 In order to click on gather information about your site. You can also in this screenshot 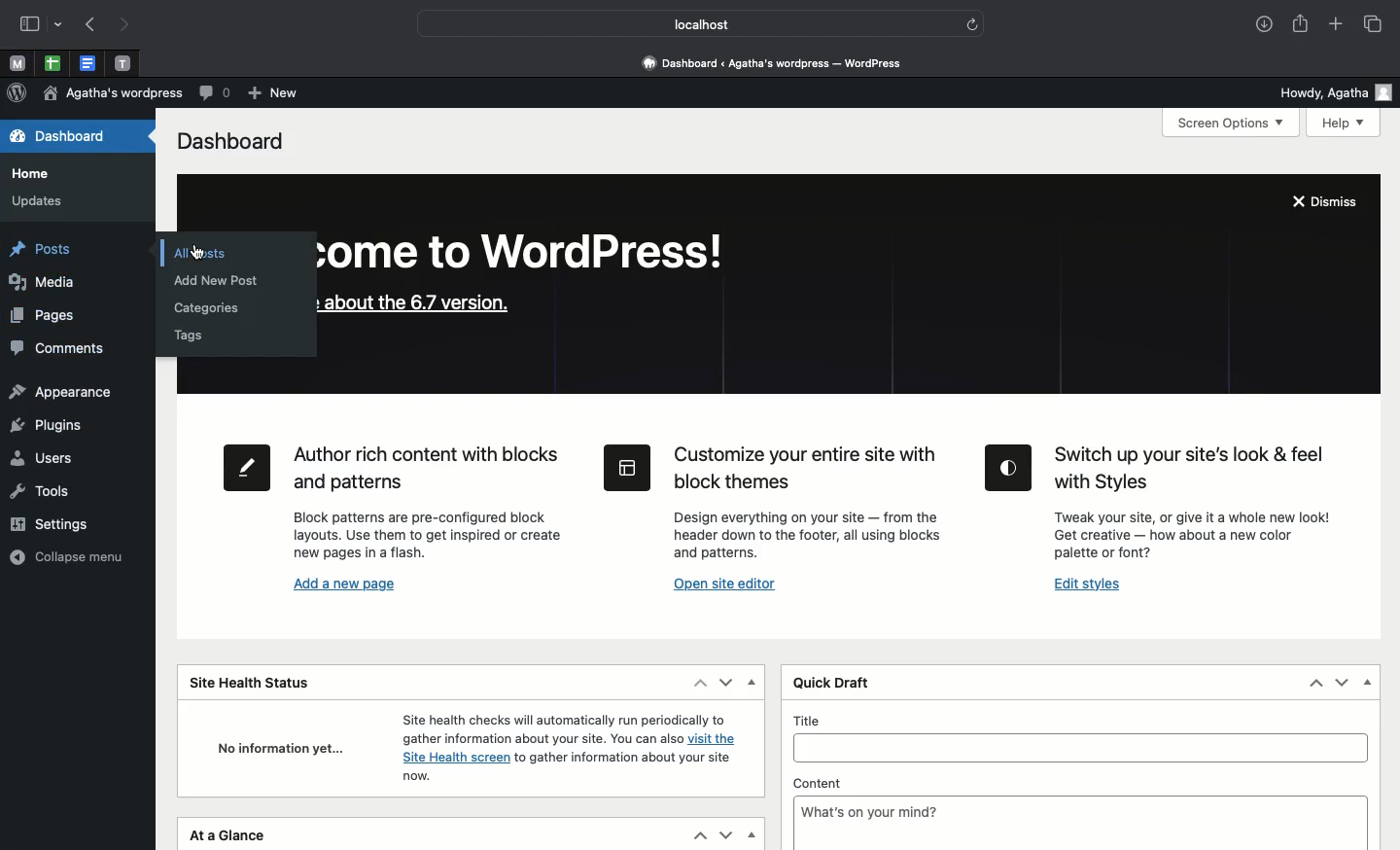, I will do `click(540, 739)`.